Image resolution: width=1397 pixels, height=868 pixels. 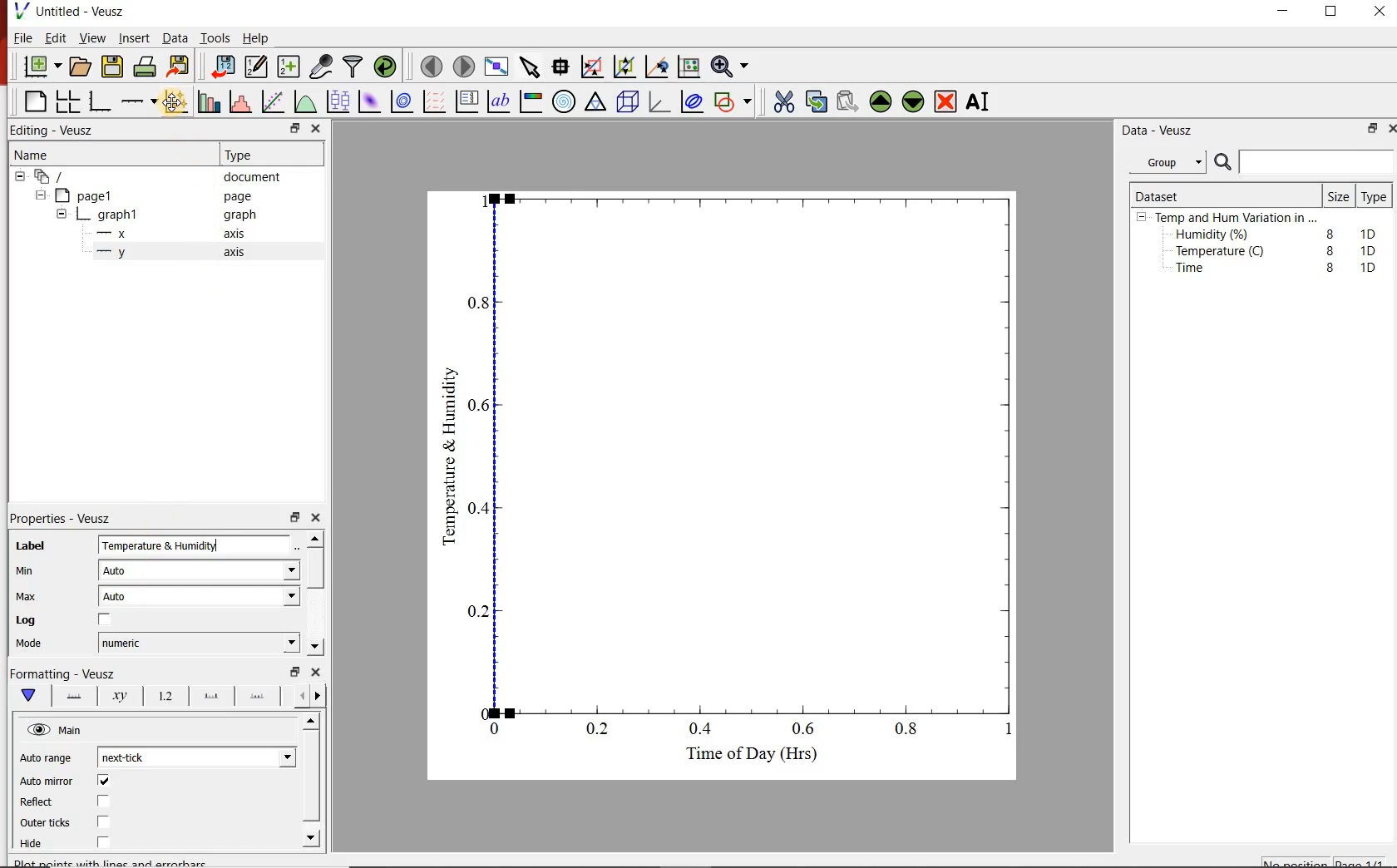 What do you see at coordinates (562, 67) in the screenshot?
I see `Read data points on the graph` at bounding box center [562, 67].